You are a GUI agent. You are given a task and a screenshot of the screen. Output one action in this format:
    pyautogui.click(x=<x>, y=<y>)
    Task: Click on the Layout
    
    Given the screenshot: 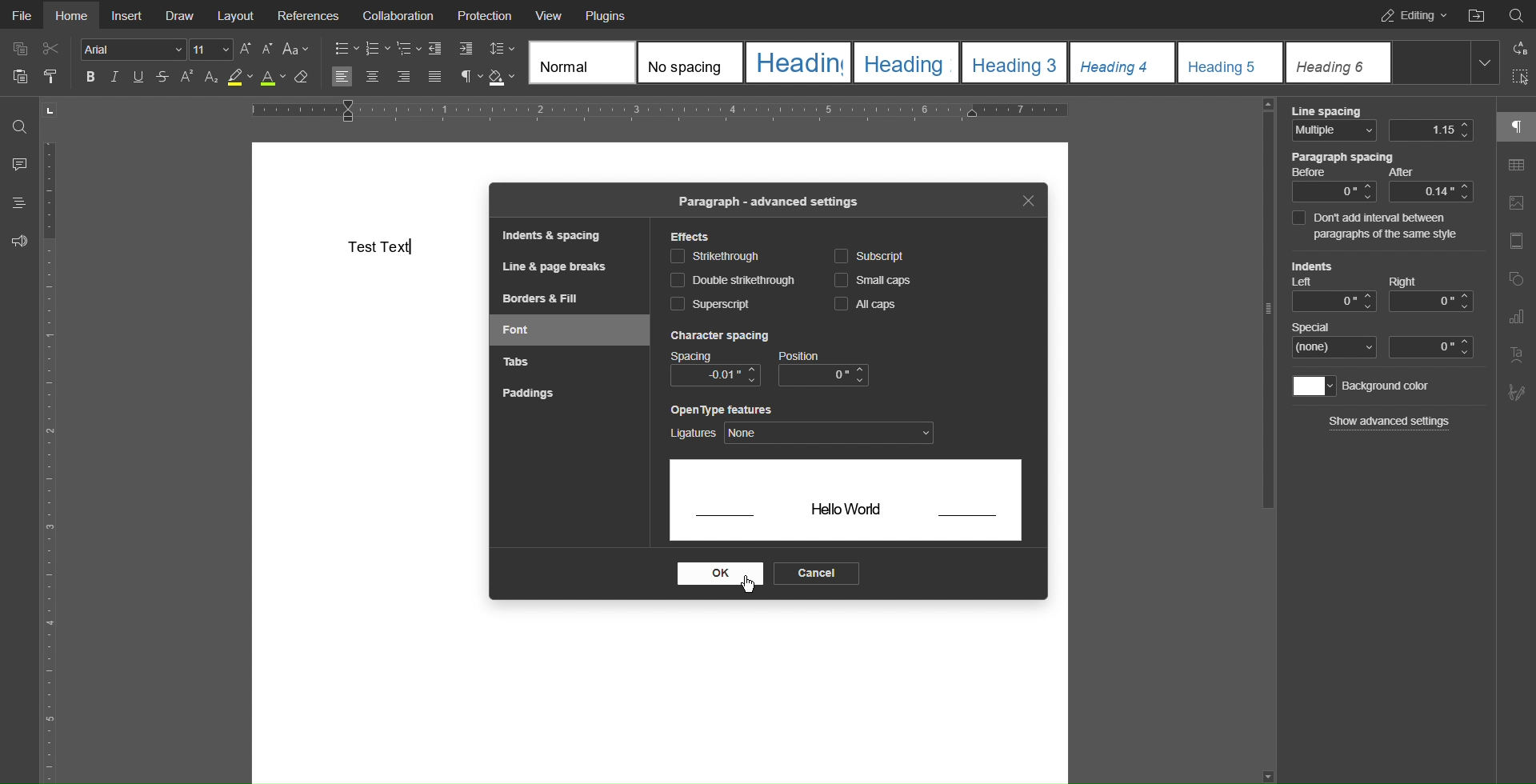 What is the action you would take?
    pyautogui.click(x=237, y=14)
    